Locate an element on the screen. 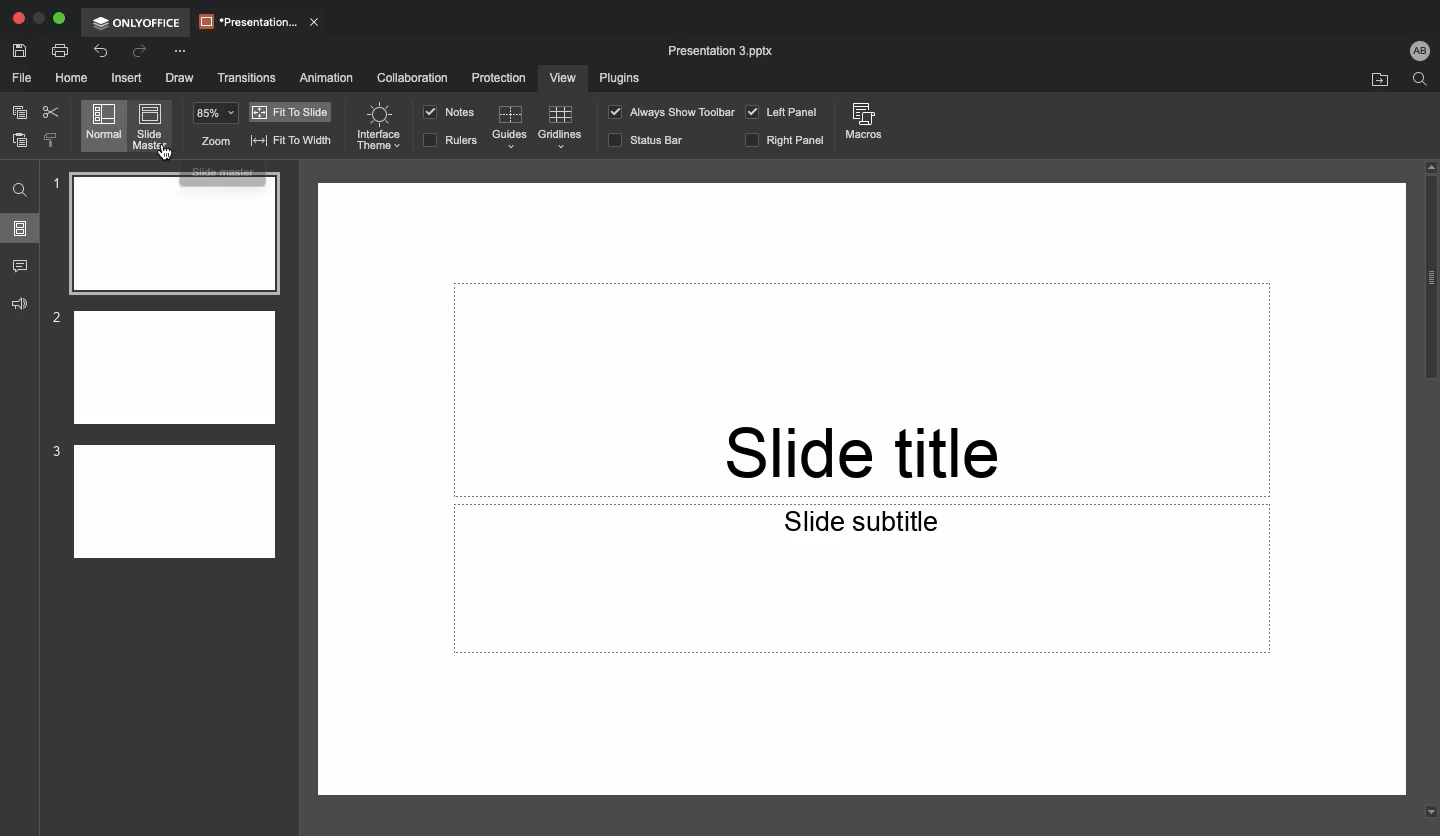  Presentation 3 pptx. is located at coordinates (735, 50).